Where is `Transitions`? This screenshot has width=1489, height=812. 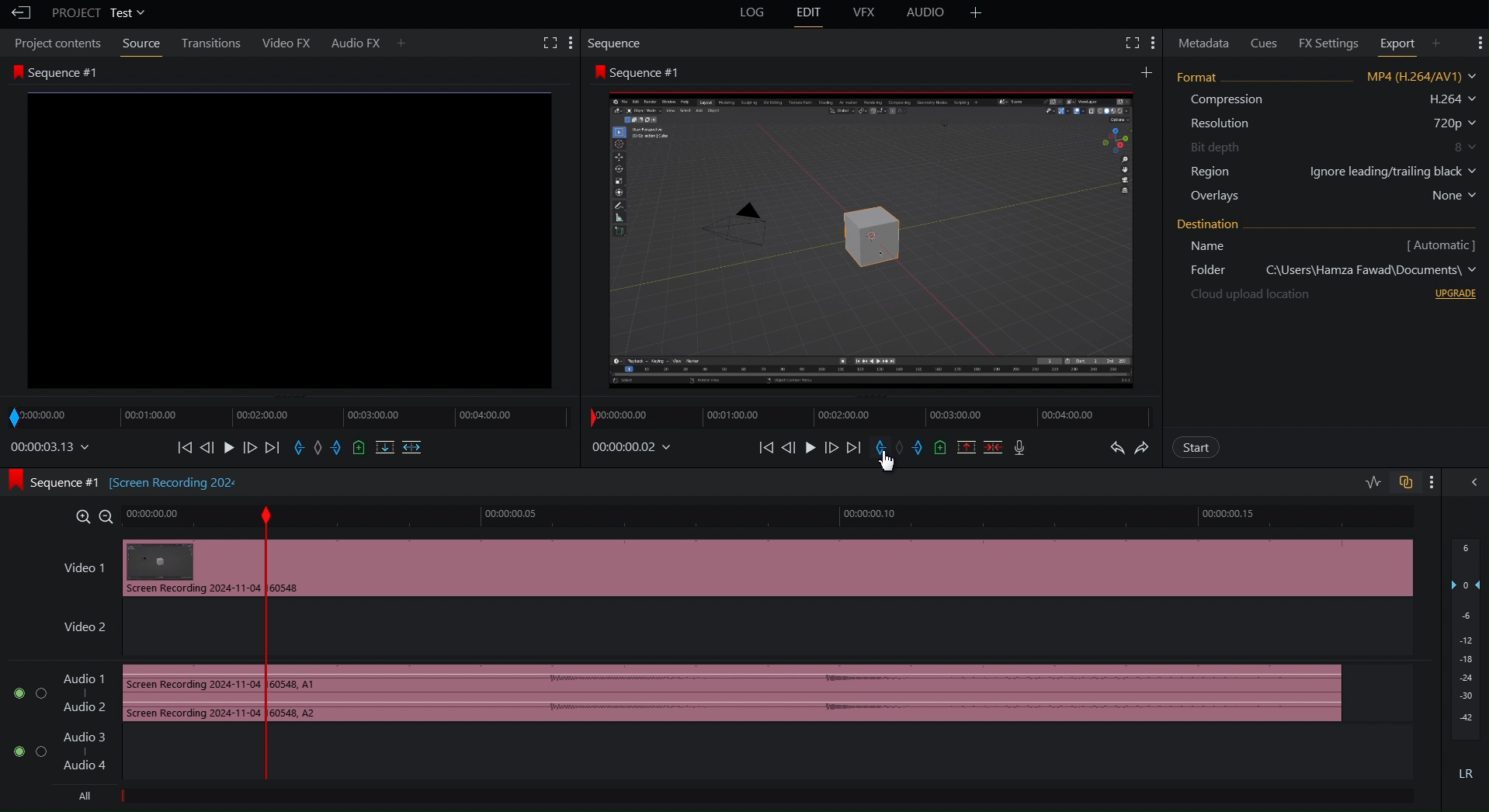
Transitions is located at coordinates (210, 44).